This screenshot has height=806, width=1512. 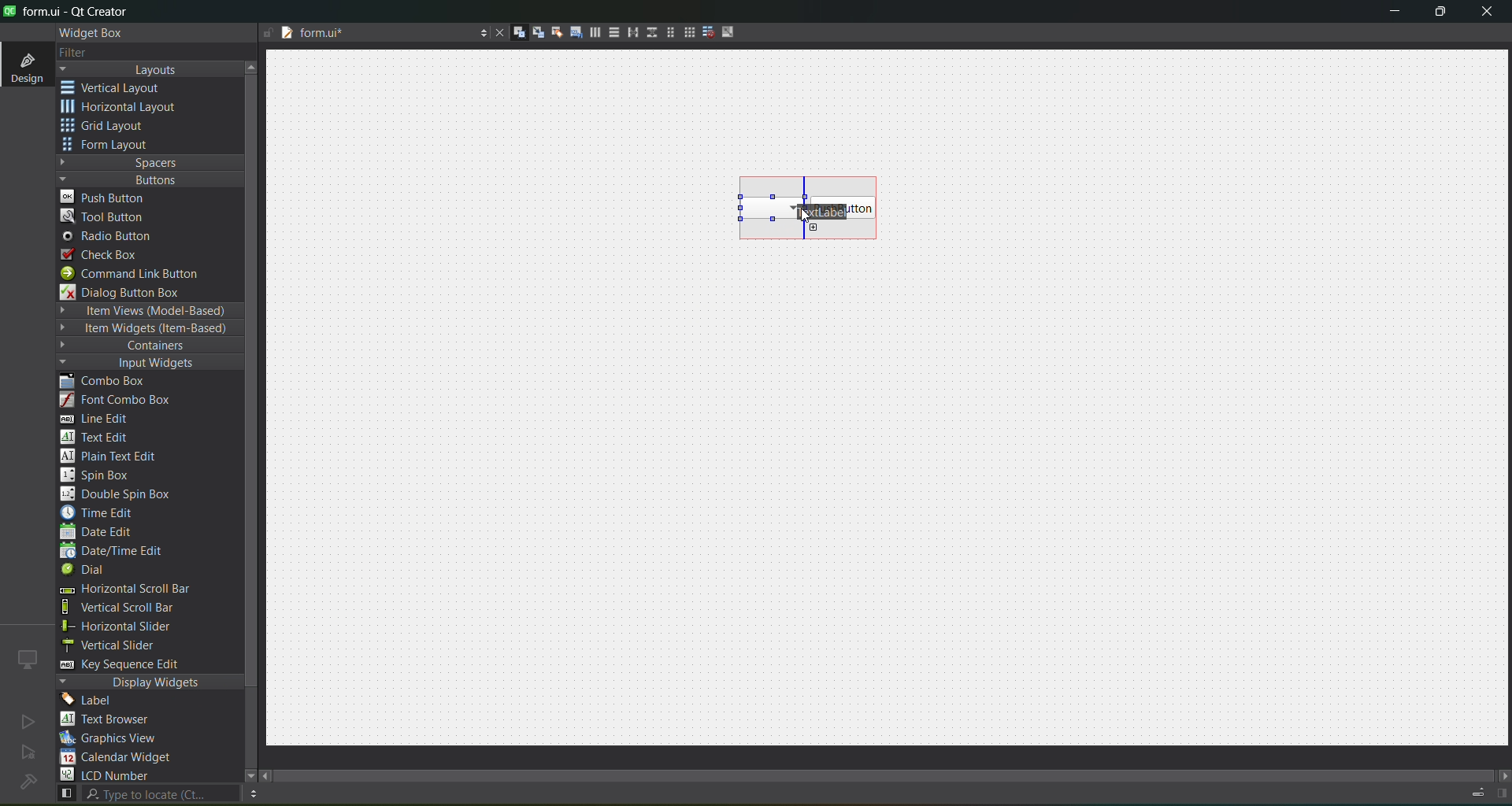 What do you see at coordinates (146, 179) in the screenshot?
I see `buttons` at bounding box center [146, 179].